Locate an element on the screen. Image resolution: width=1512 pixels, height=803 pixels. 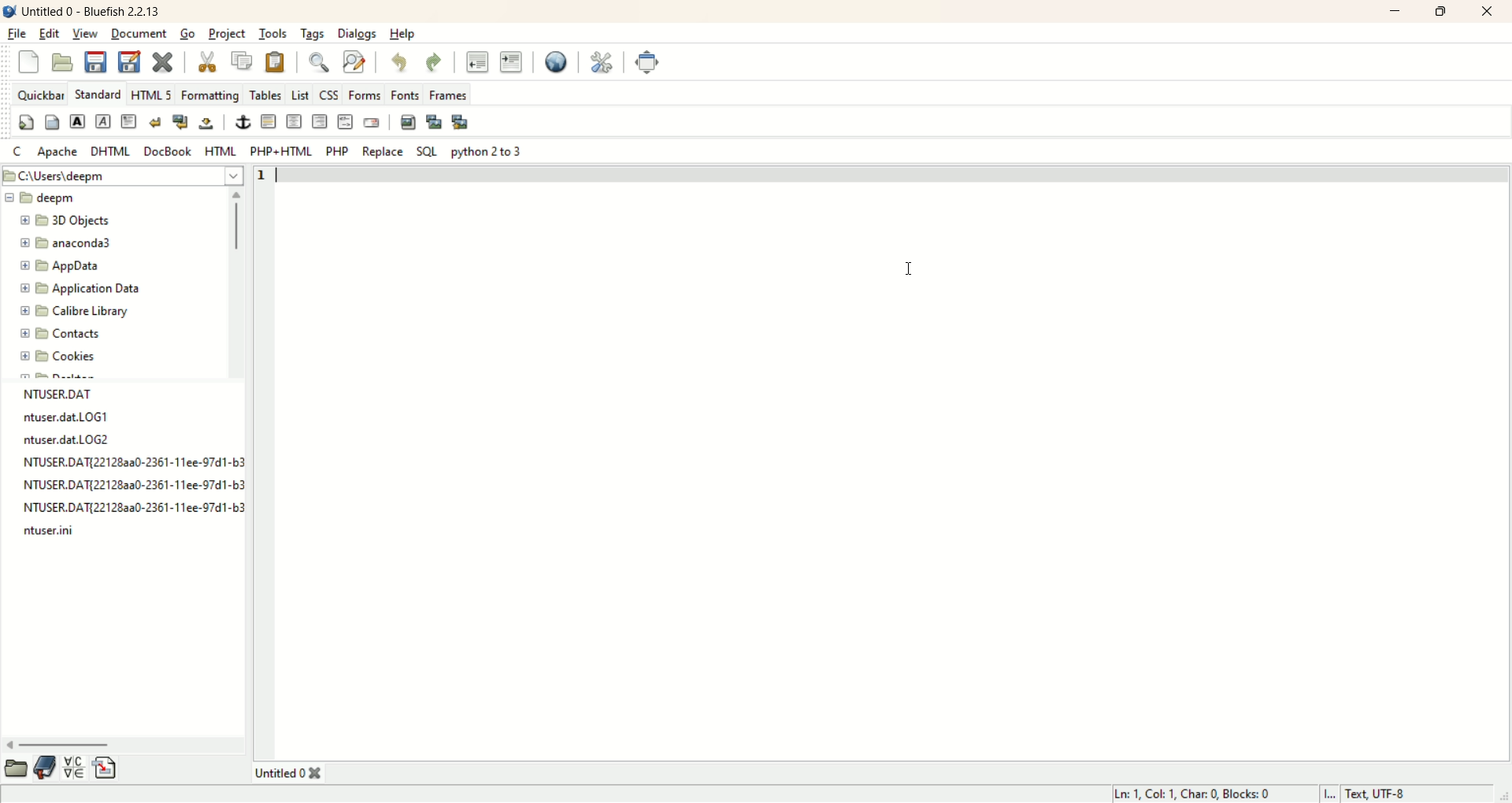
STANDARD is located at coordinates (98, 94).